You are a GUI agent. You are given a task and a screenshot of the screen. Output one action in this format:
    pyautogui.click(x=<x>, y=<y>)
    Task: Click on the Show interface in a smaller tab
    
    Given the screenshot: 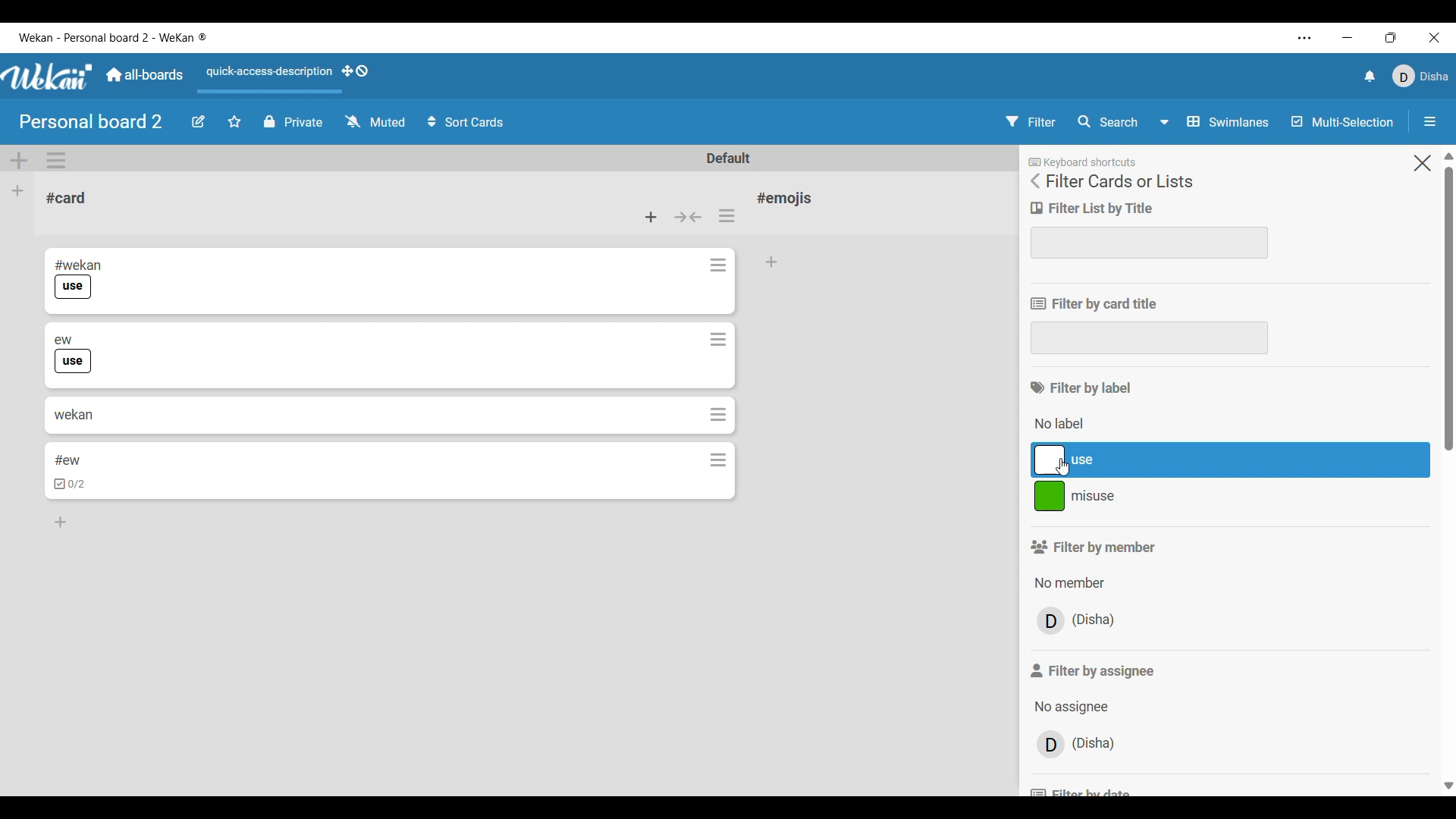 What is the action you would take?
    pyautogui.click(x=1391, y=37)
    